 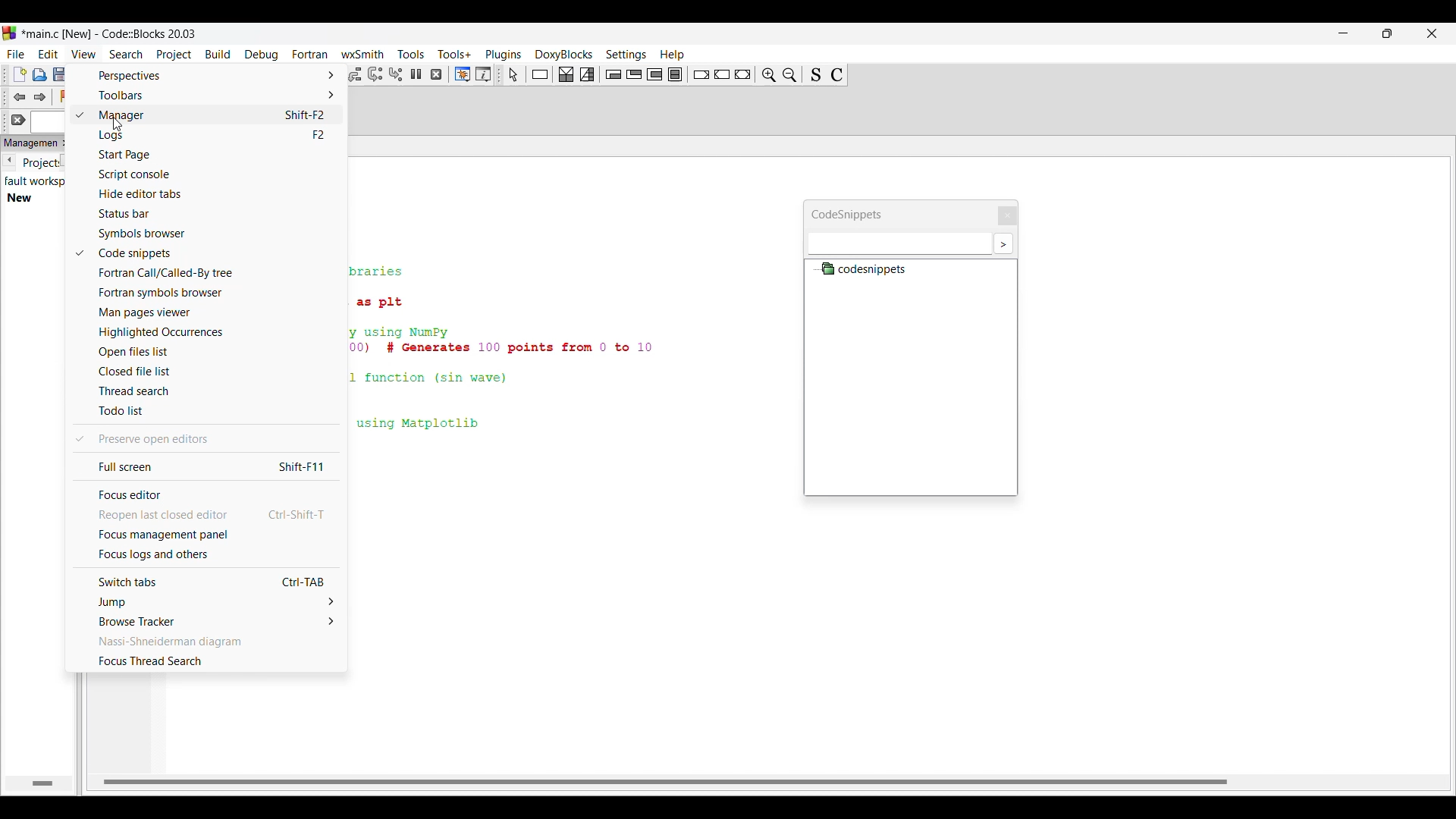 What do you see at coordinates (375, 74) in the screenshot?
I see `Next instruction` at bounding box center [375, 74].